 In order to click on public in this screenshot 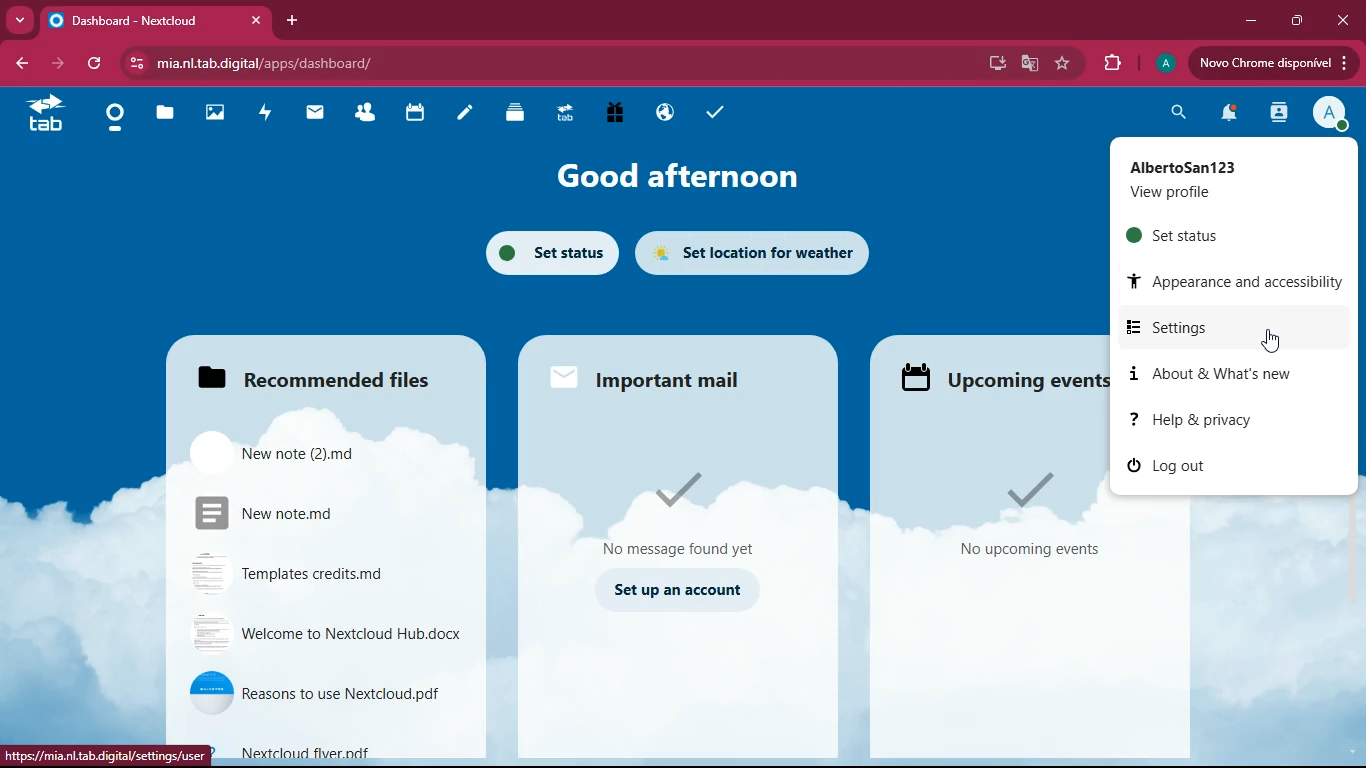, I will do `click(668, 112)`.